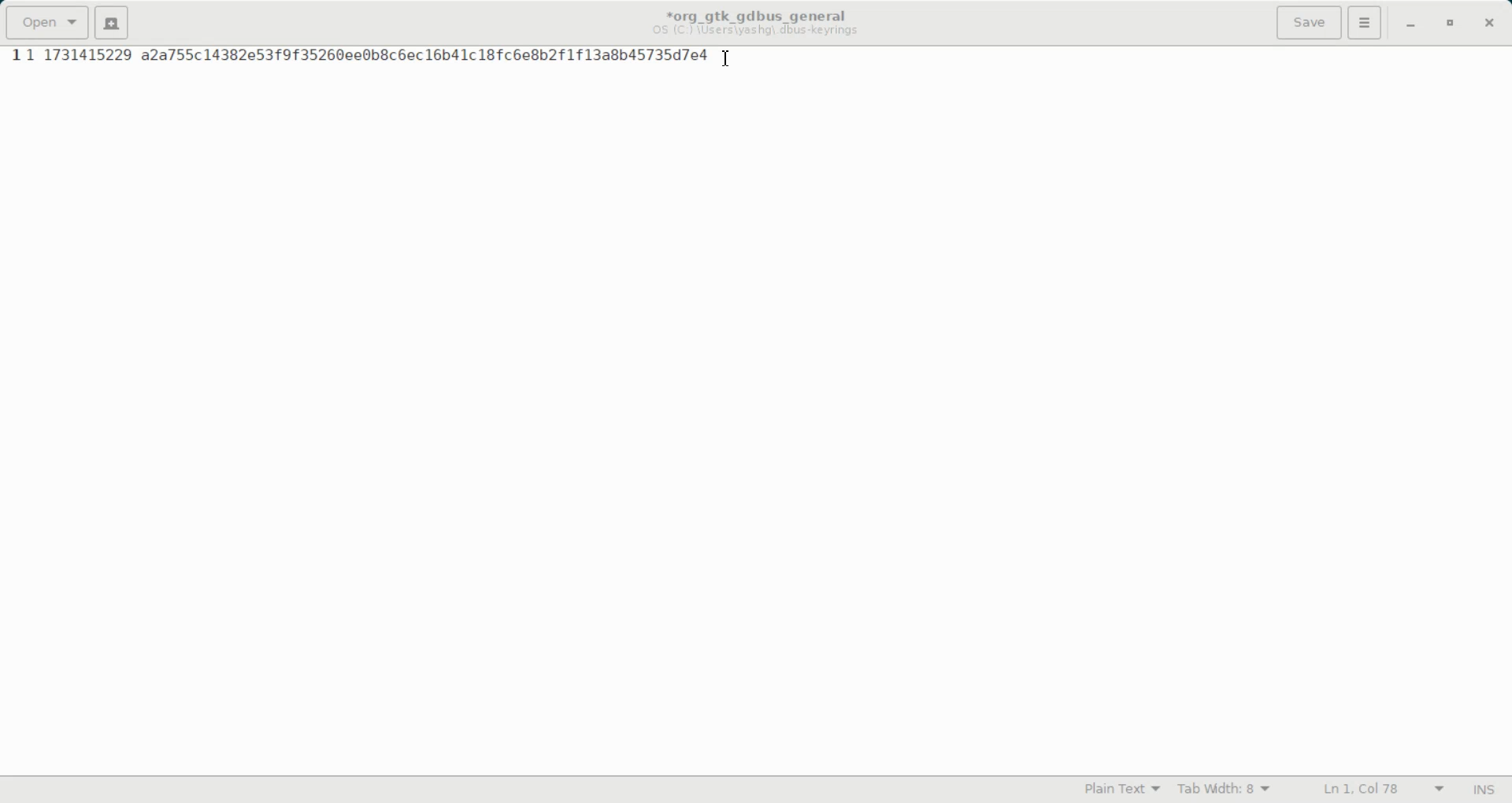 Image resolution: width=1512 pixels, height=803 pixels. What do you see at coordinates (1483, 790) in the screenshot?
I see `Text` at bounding box center [1483, 790].